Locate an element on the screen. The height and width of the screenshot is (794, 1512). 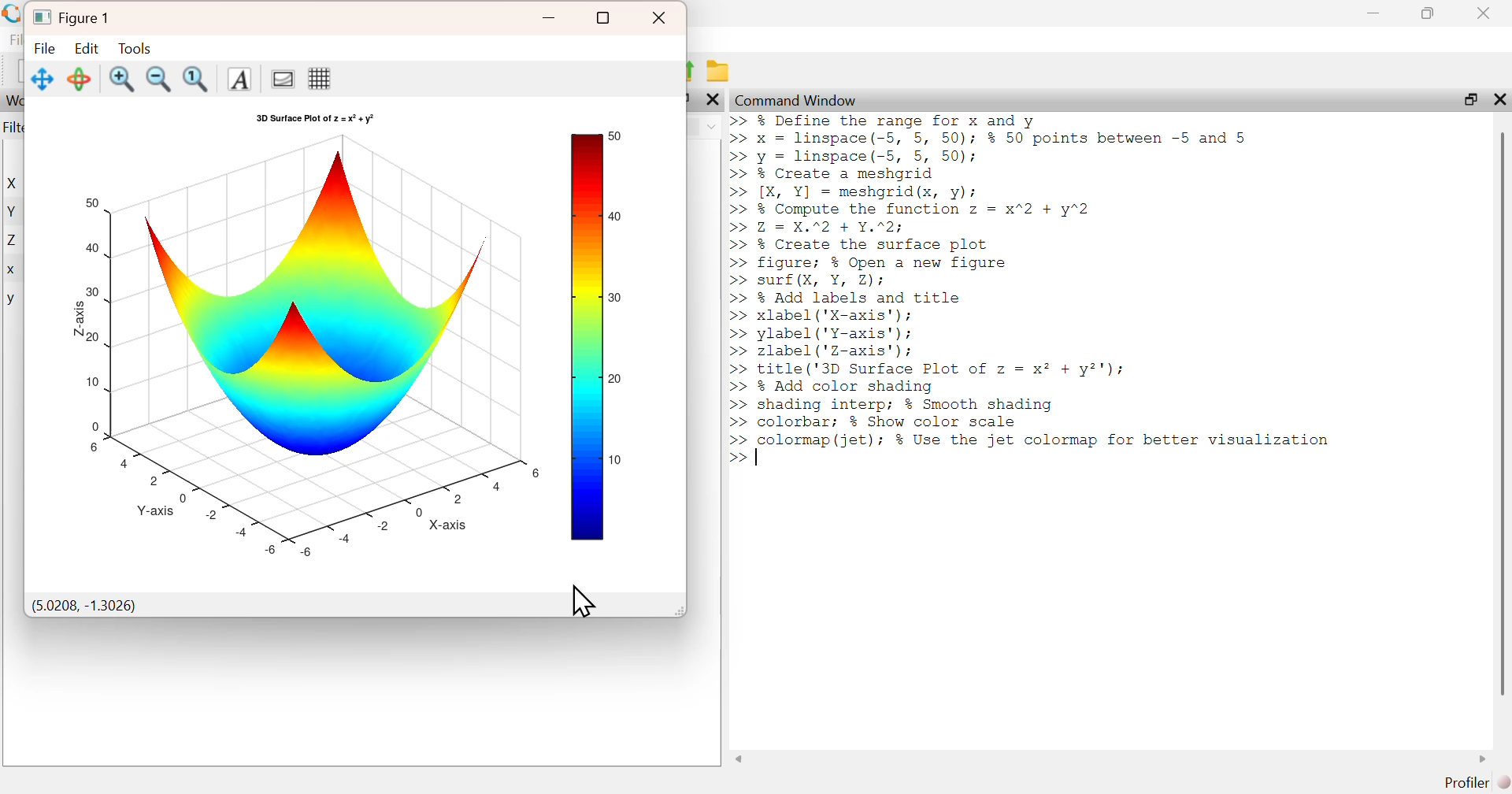
zoom out is located at coordinates (160, 78).